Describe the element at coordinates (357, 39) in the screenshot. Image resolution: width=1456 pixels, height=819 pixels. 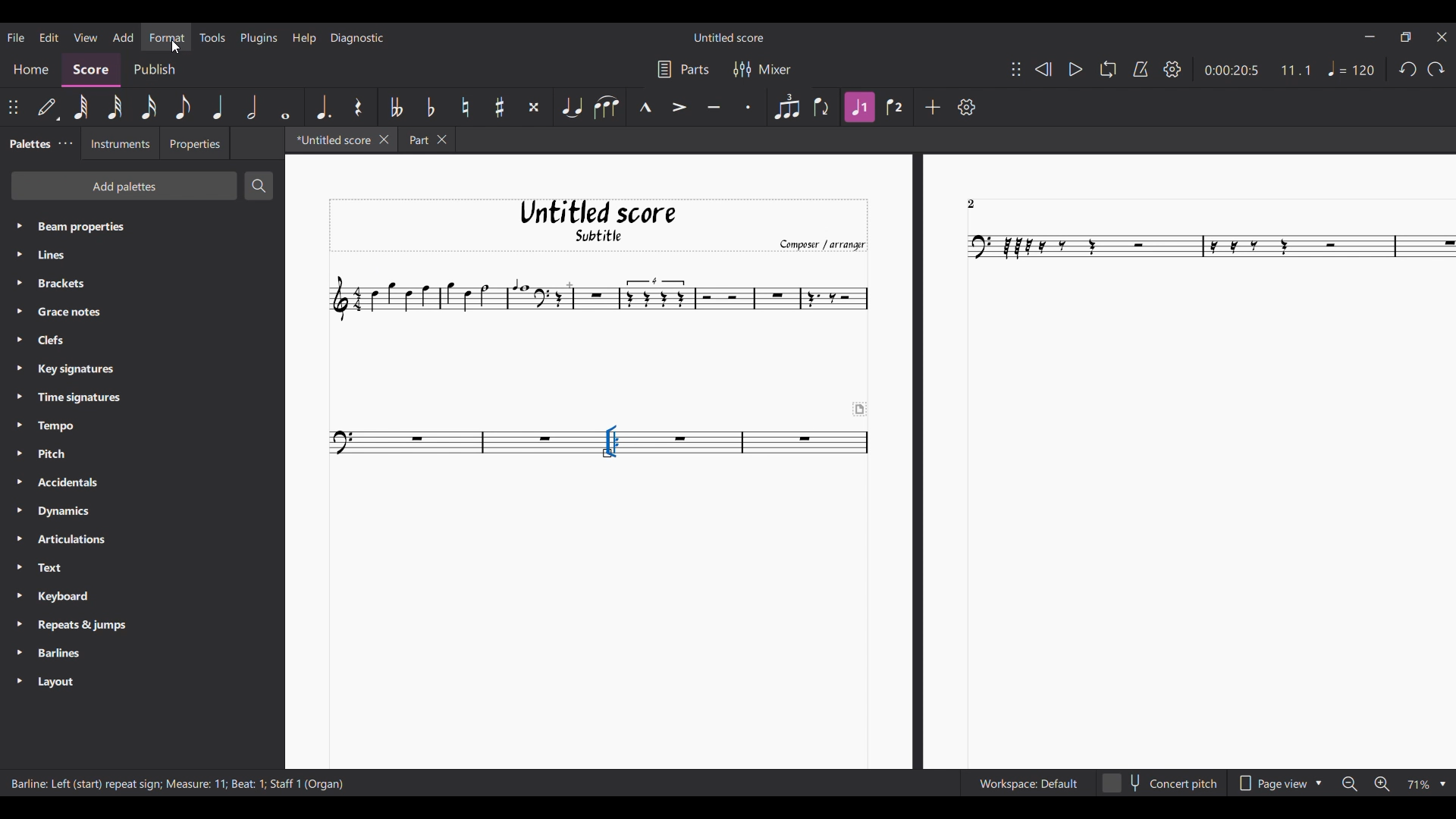
I see `Diagnostic menu` at that location.